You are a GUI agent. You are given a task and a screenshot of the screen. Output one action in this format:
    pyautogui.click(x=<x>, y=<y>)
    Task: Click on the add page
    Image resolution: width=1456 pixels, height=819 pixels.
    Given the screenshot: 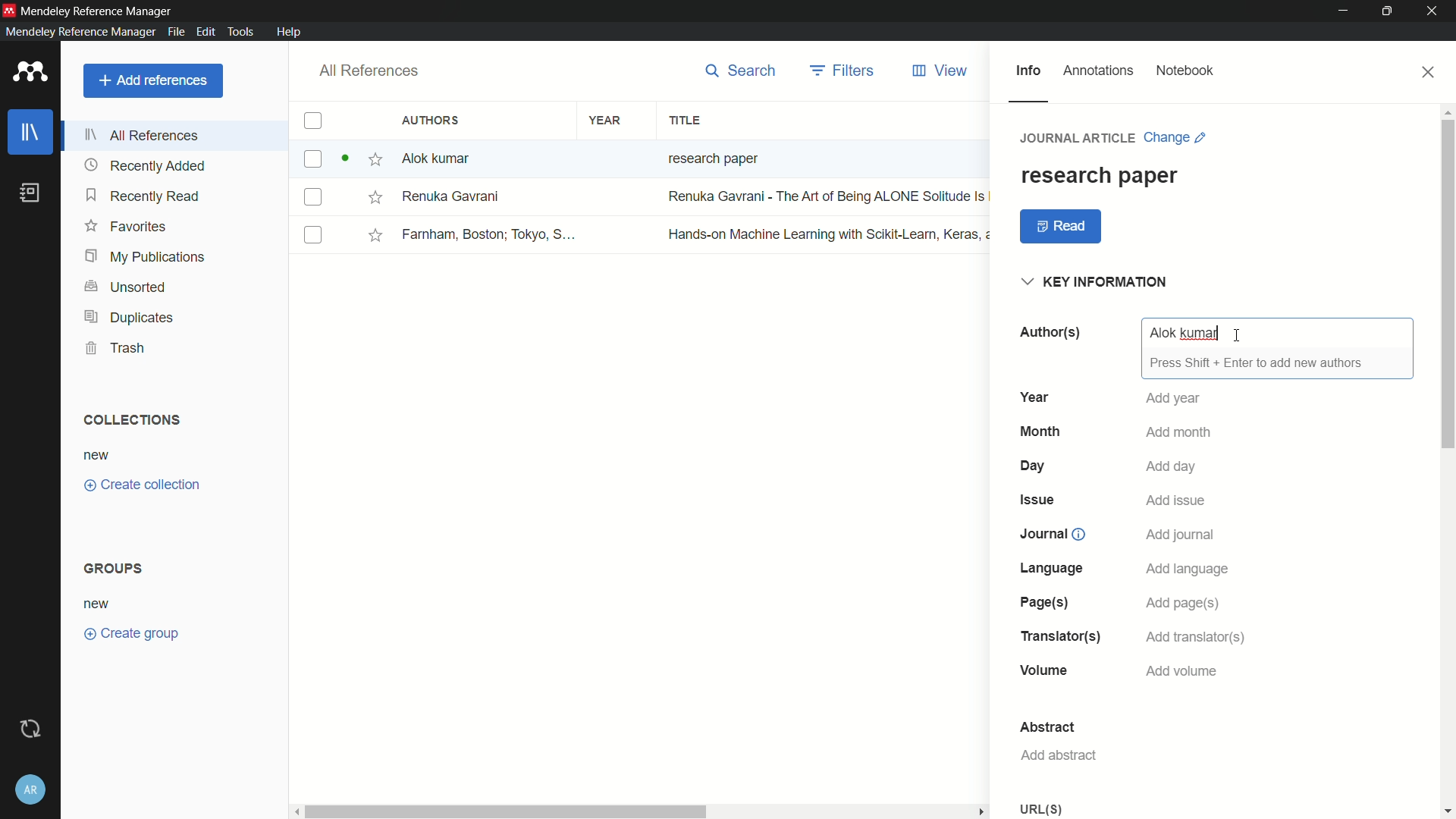 What is the action you would take?
    pyautogui.click(x=1184, y=603)
    